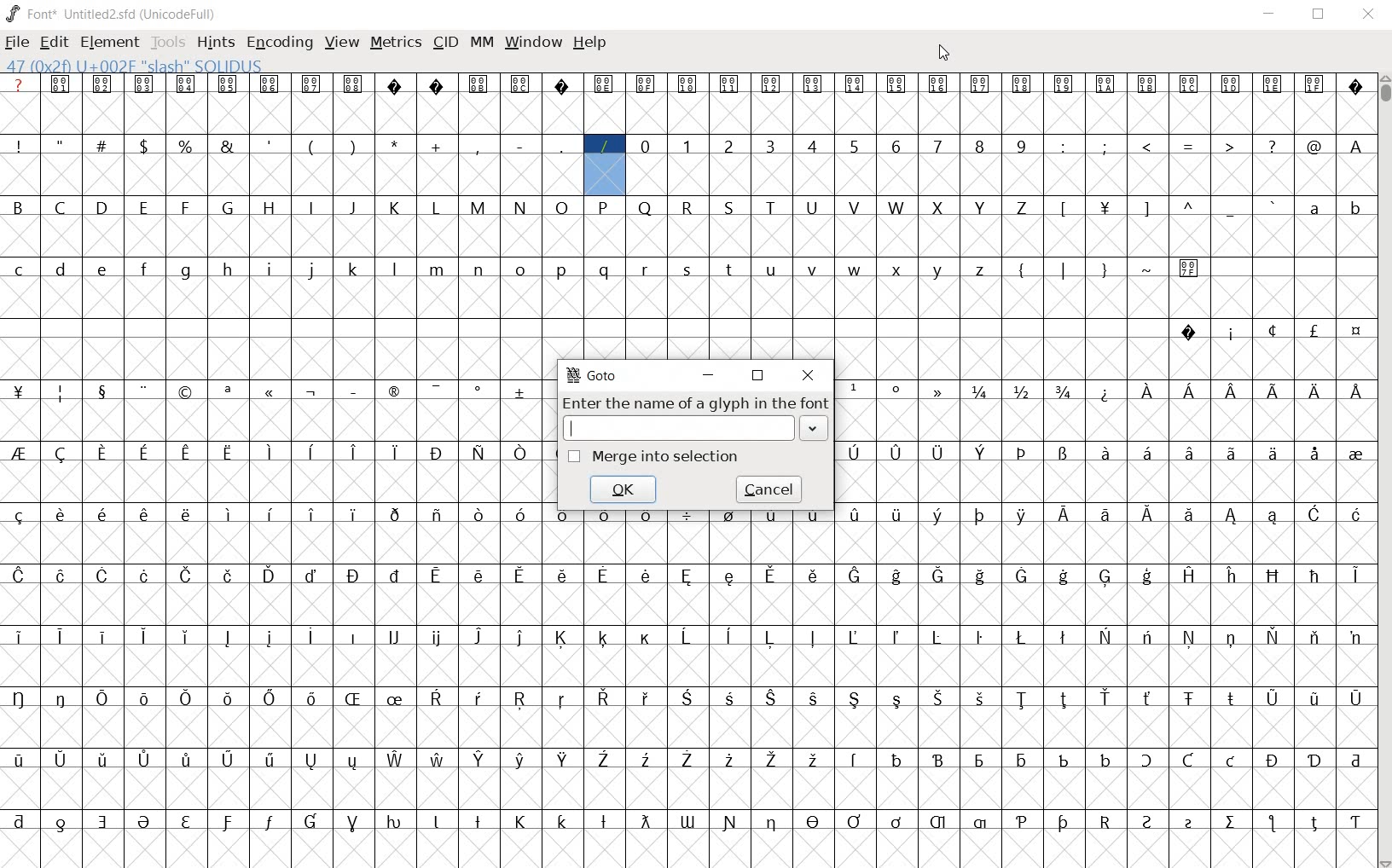 This screenshot has width=1392, height=868. I want to click on glyph, so click(1317, 392).